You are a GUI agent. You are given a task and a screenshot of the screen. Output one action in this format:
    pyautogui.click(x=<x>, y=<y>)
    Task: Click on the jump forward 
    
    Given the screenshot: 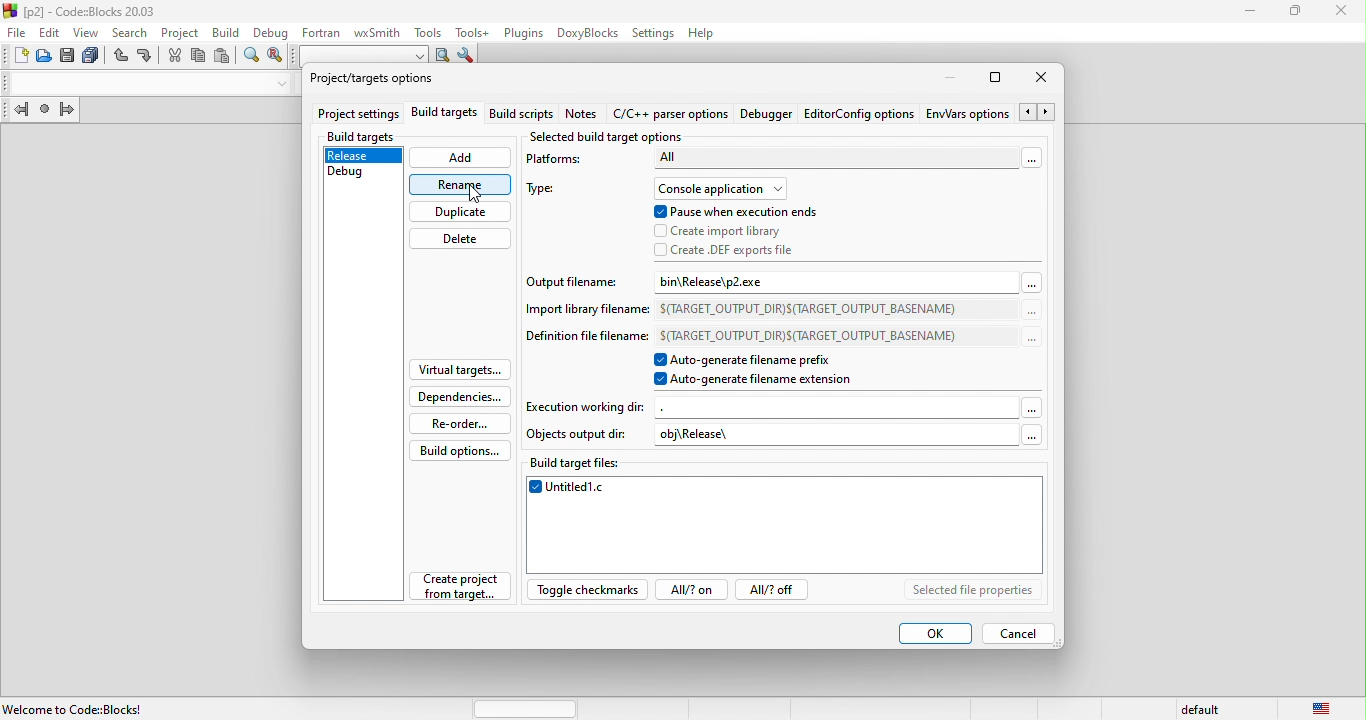 What is the action you would take?
    pyautogui.click(x=67, y=111)
    